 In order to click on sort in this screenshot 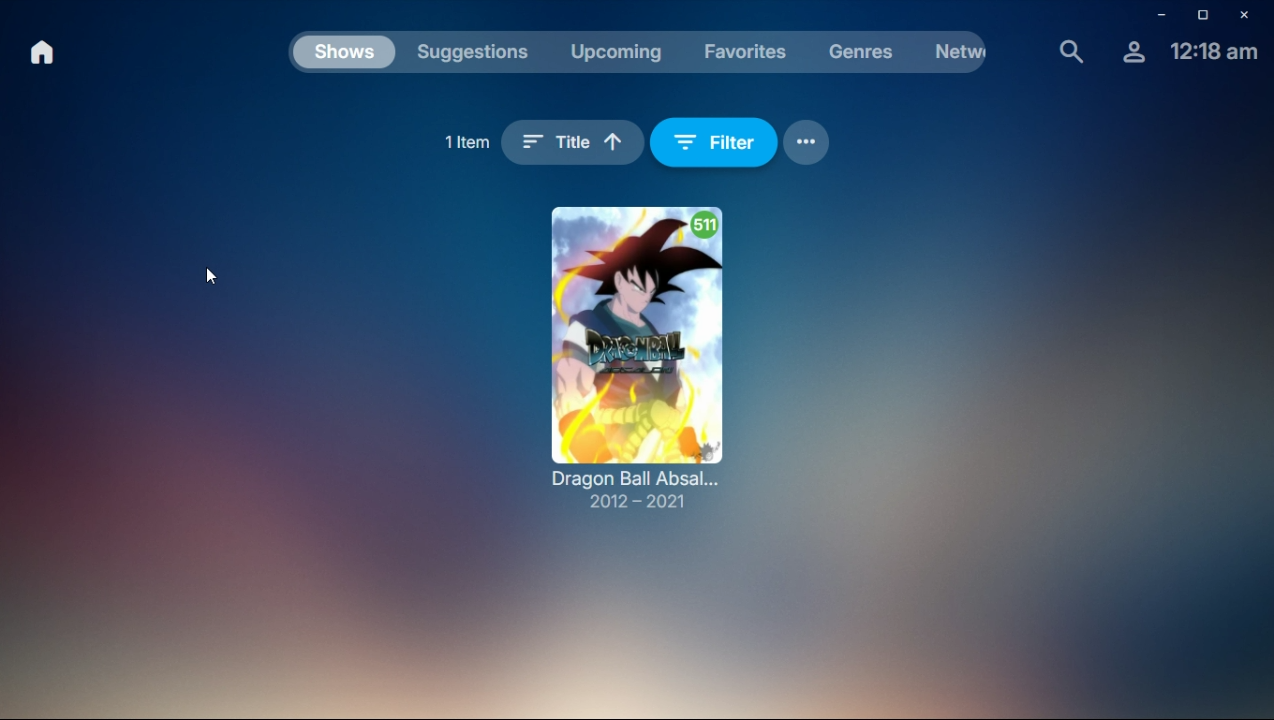, I will do `click(577, 143)`.